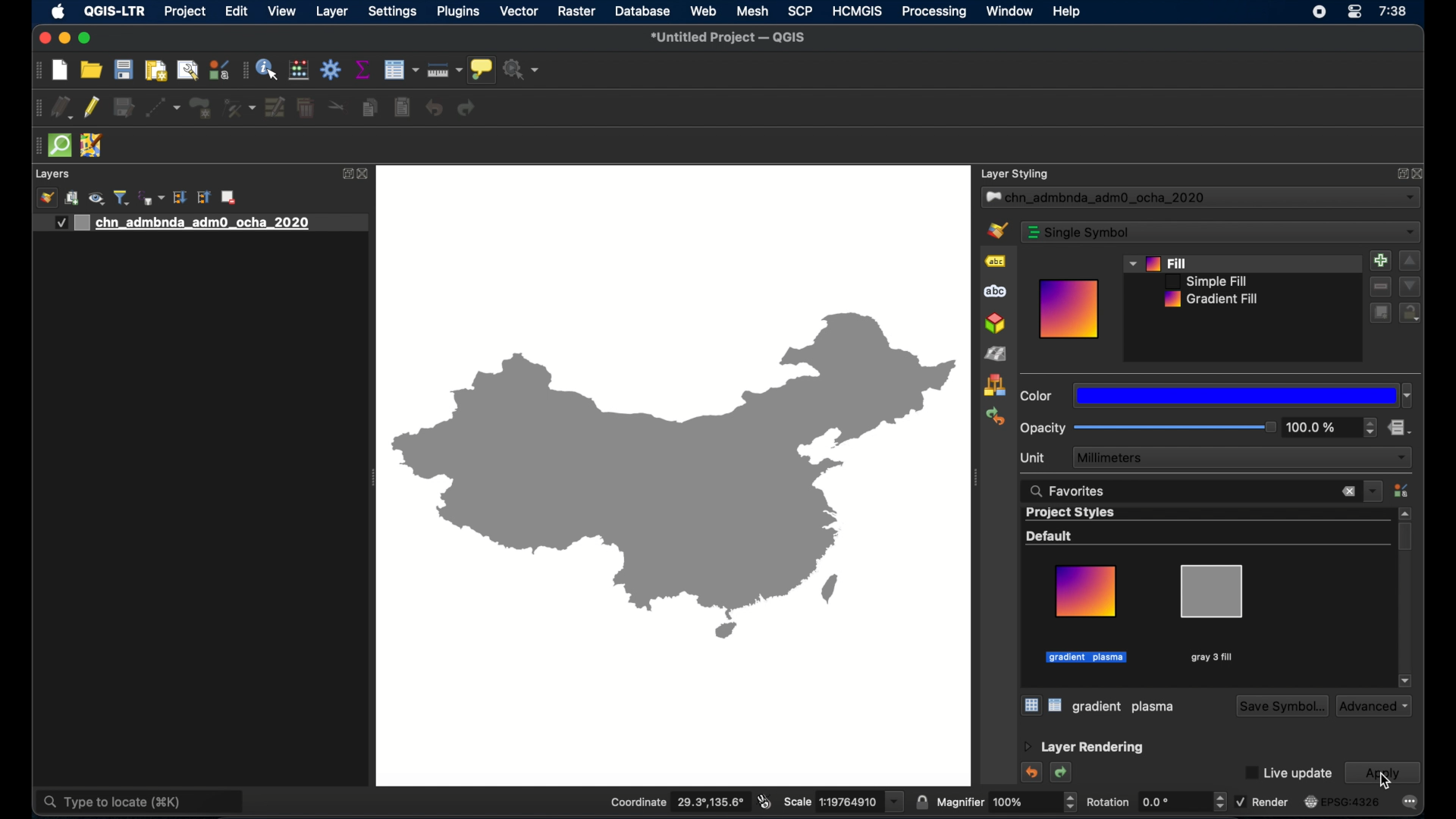 The height and width of the screenshot is (819, 1456). Describe the element at coordinates (995, 417) in the screenshot. I see `history` at that location.